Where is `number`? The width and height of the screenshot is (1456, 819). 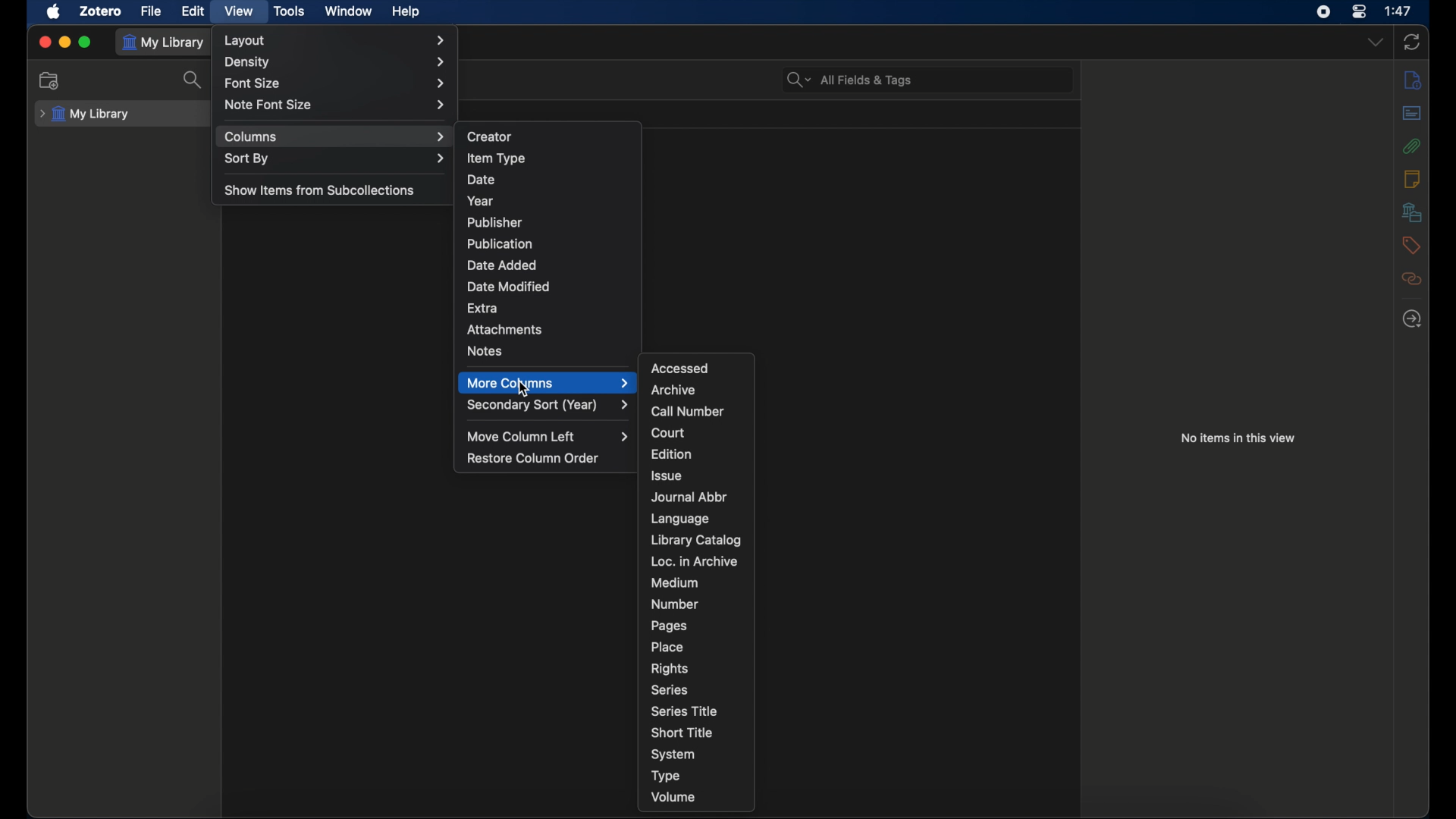 number is located at coordinates (675, 604).